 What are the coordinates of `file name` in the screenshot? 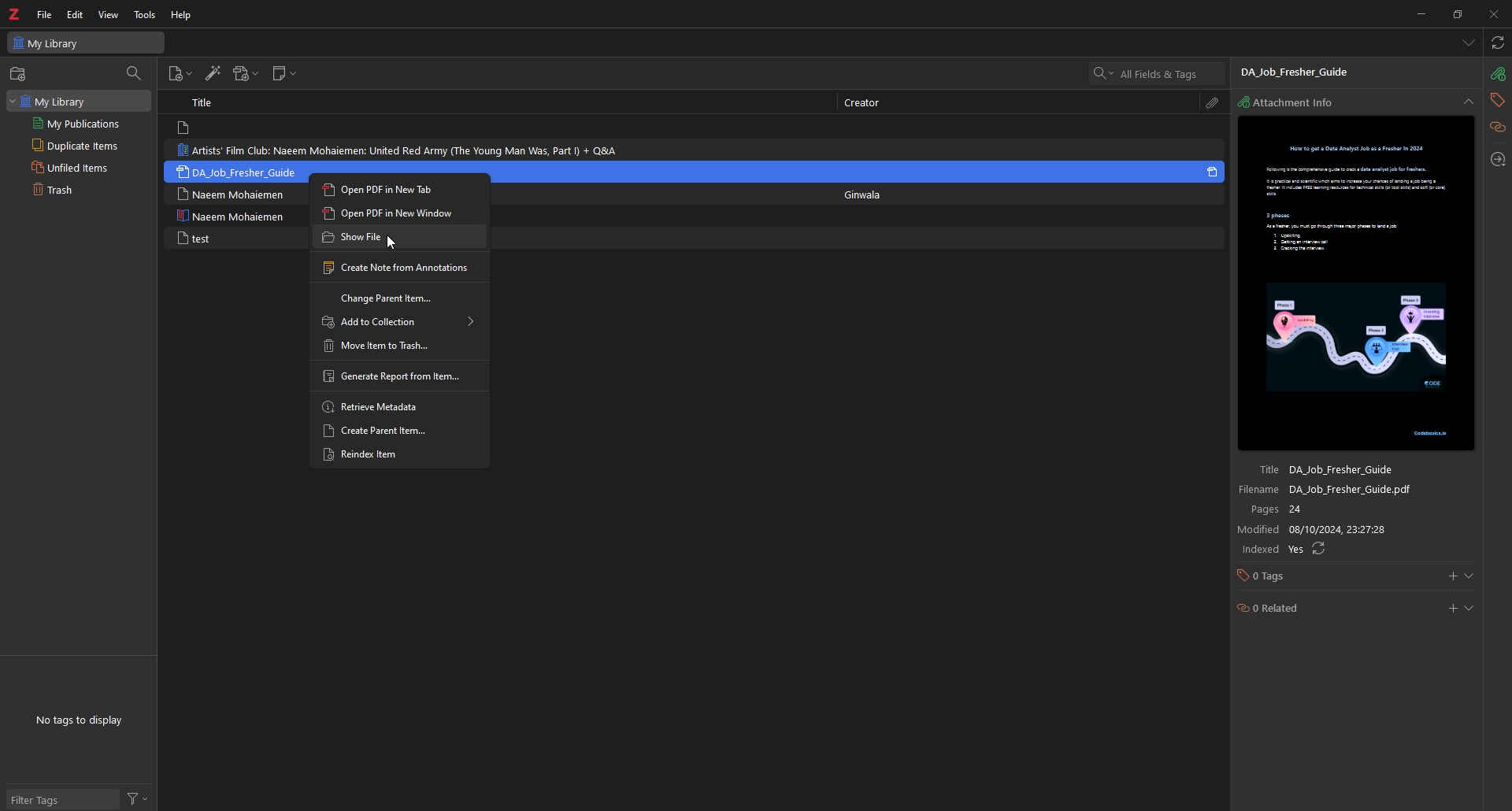 It's located at (1343, 491).